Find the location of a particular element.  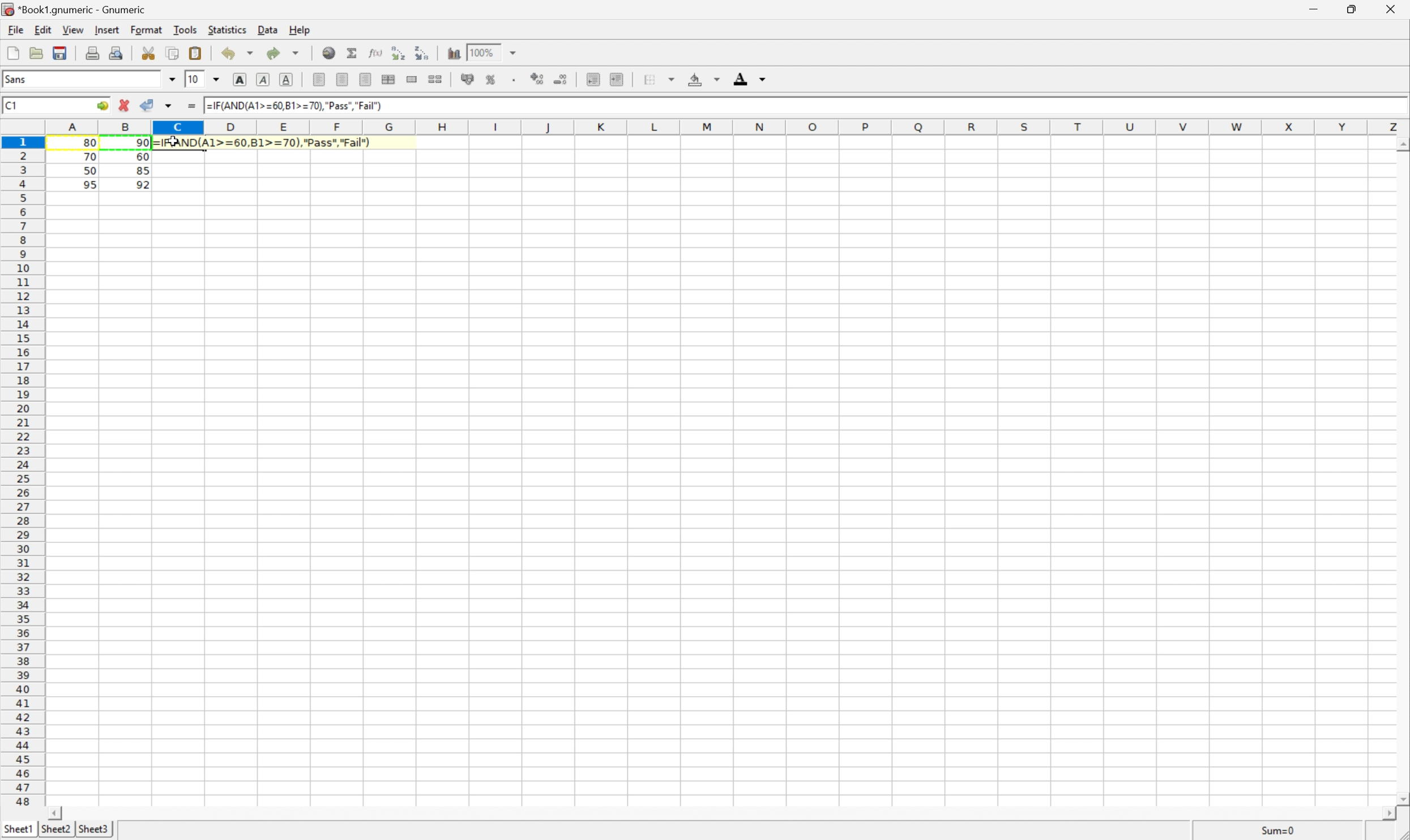

Align Right is located at coordinates (318, 80).